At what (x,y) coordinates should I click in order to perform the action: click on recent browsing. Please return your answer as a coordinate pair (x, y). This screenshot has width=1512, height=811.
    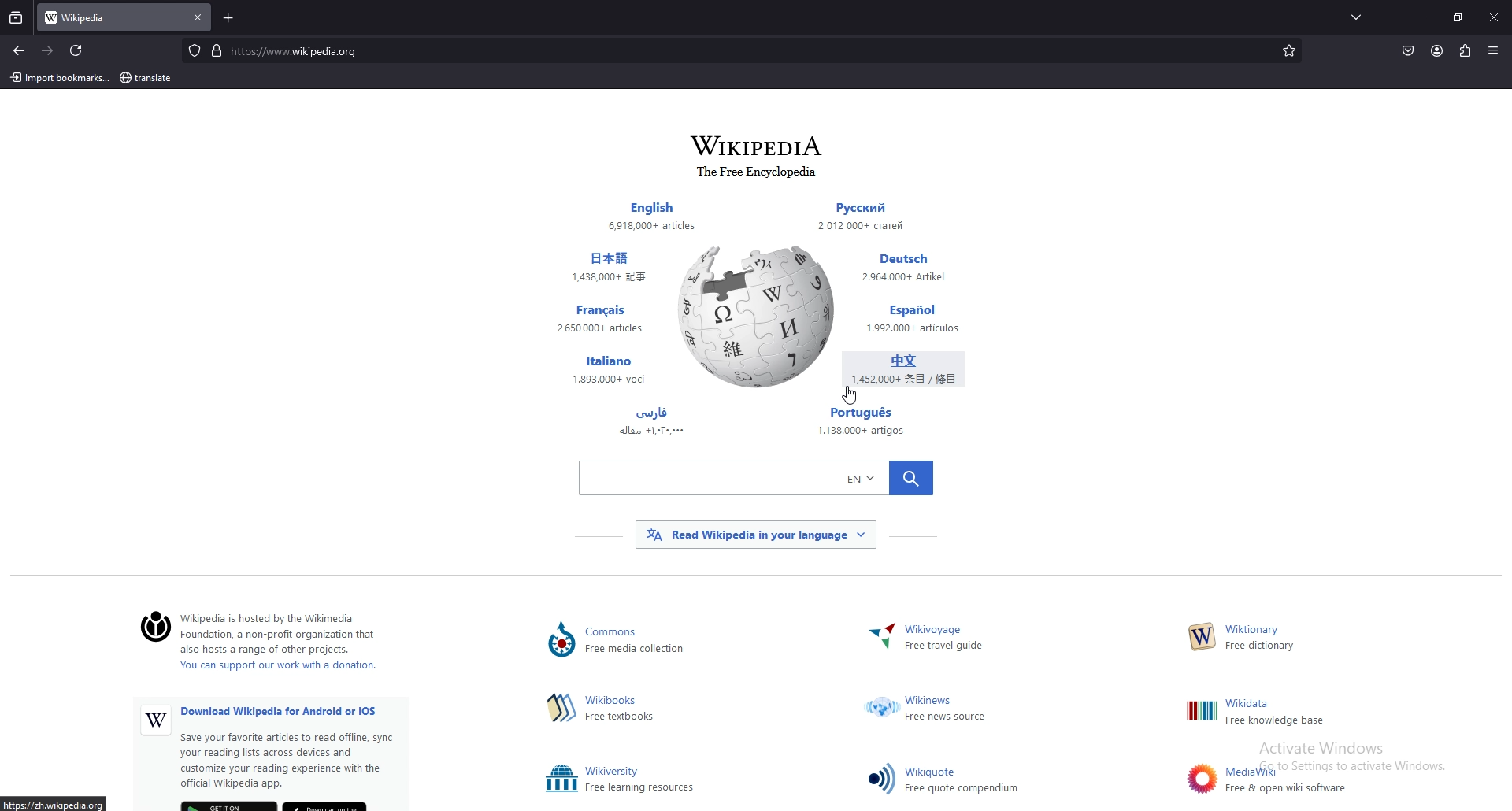
    Looking at the image, I should click on (17, 19).